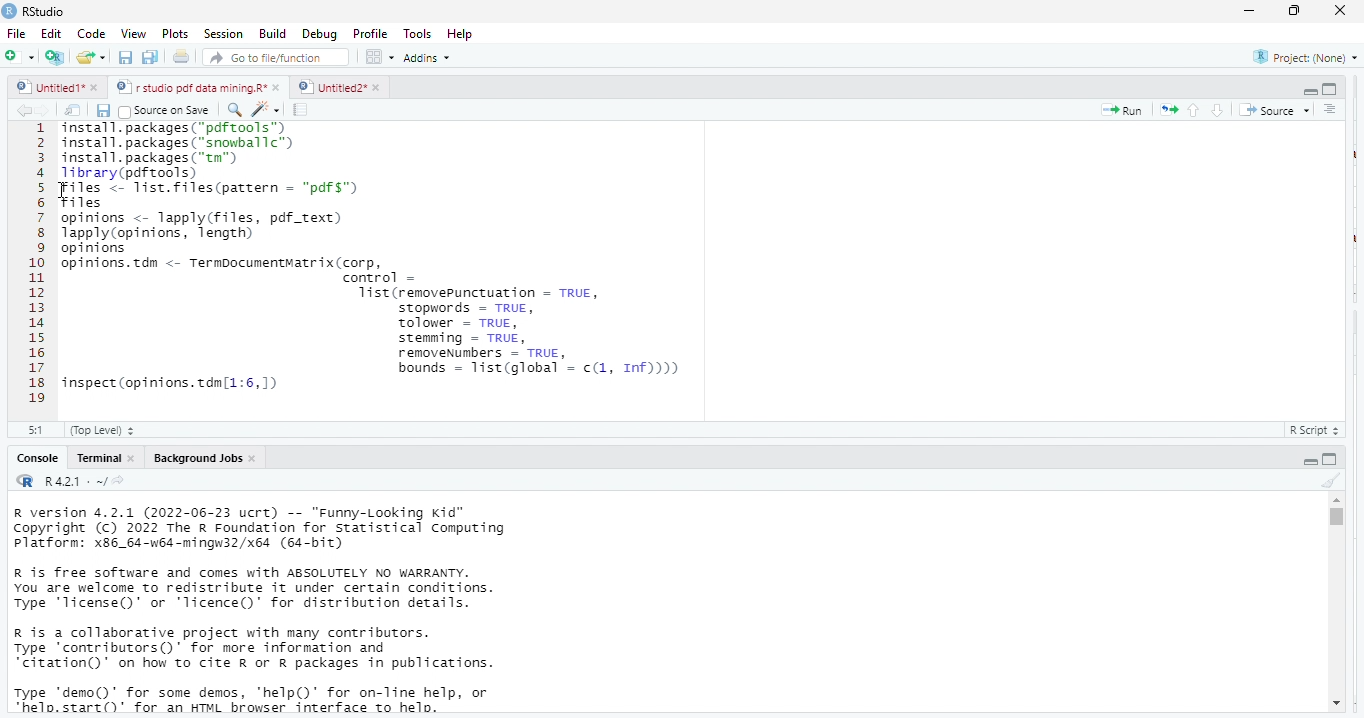  What do you see at coordinates (234, 109) in the screenshot?
I see `find /replace` at bounding box center [234, 109].